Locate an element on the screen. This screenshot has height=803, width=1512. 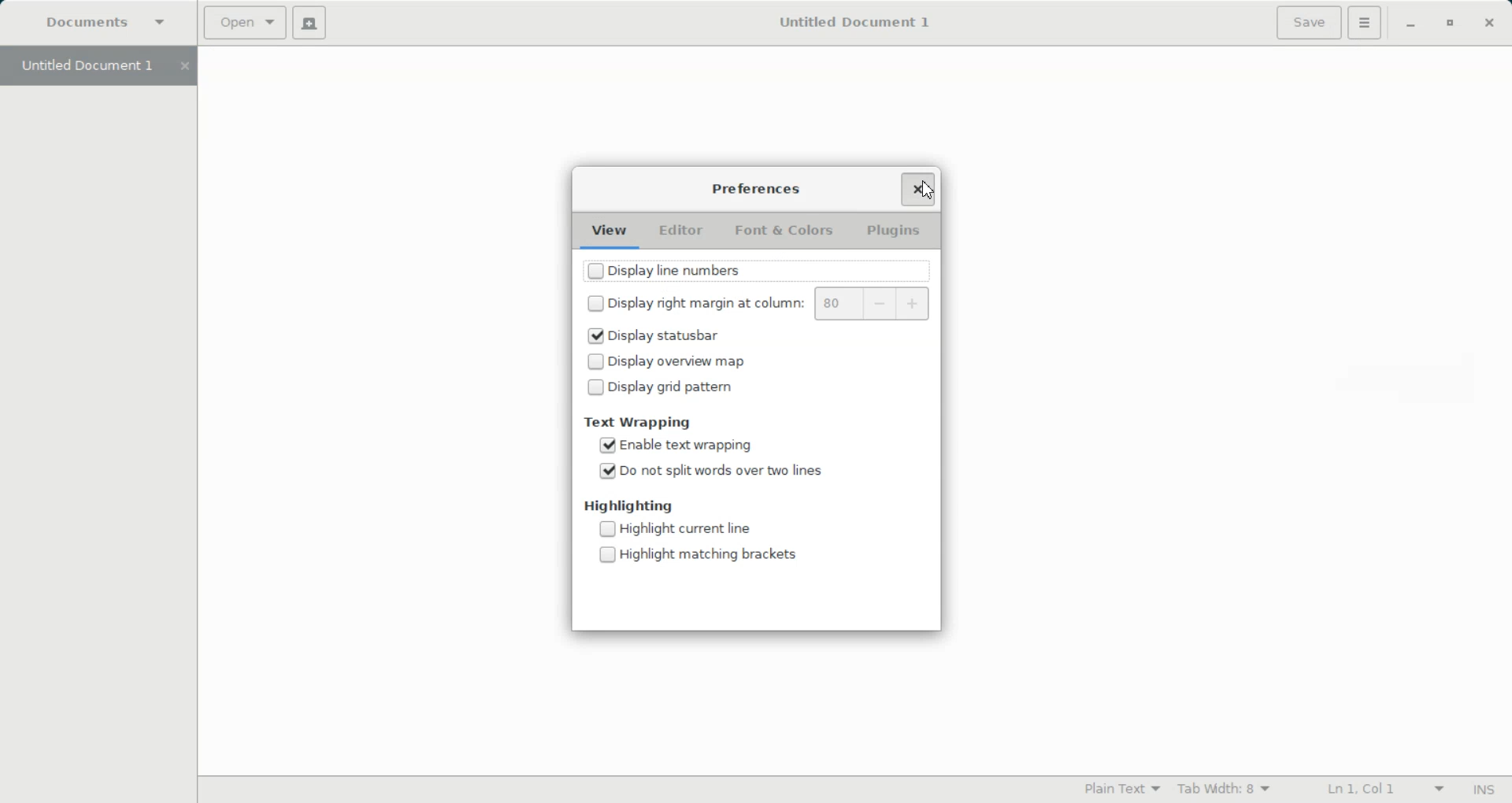
View is located at coordinates (611, 231).